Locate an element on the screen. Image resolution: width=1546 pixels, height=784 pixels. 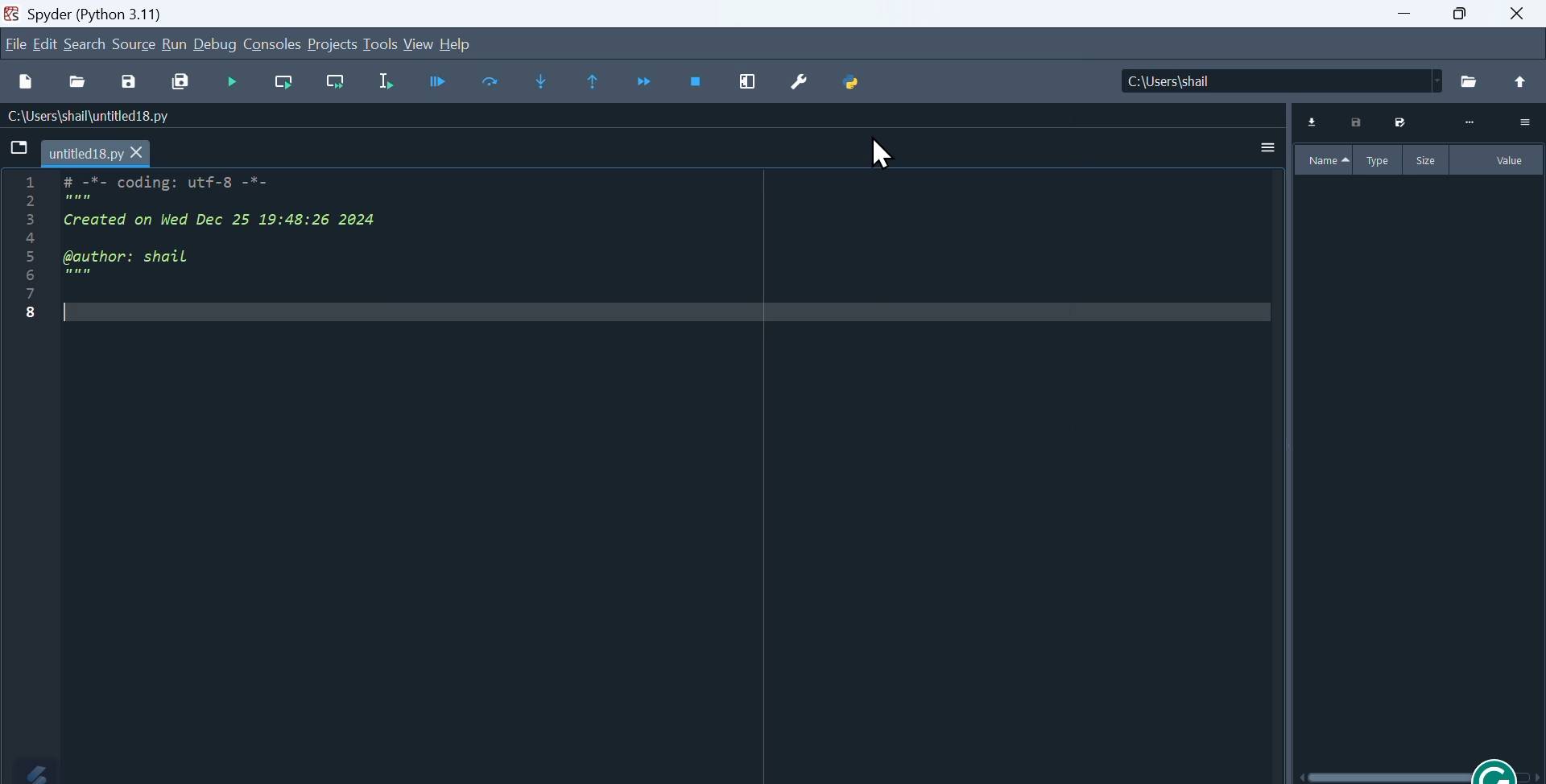
Mouse is located at coordinates (878, 156).